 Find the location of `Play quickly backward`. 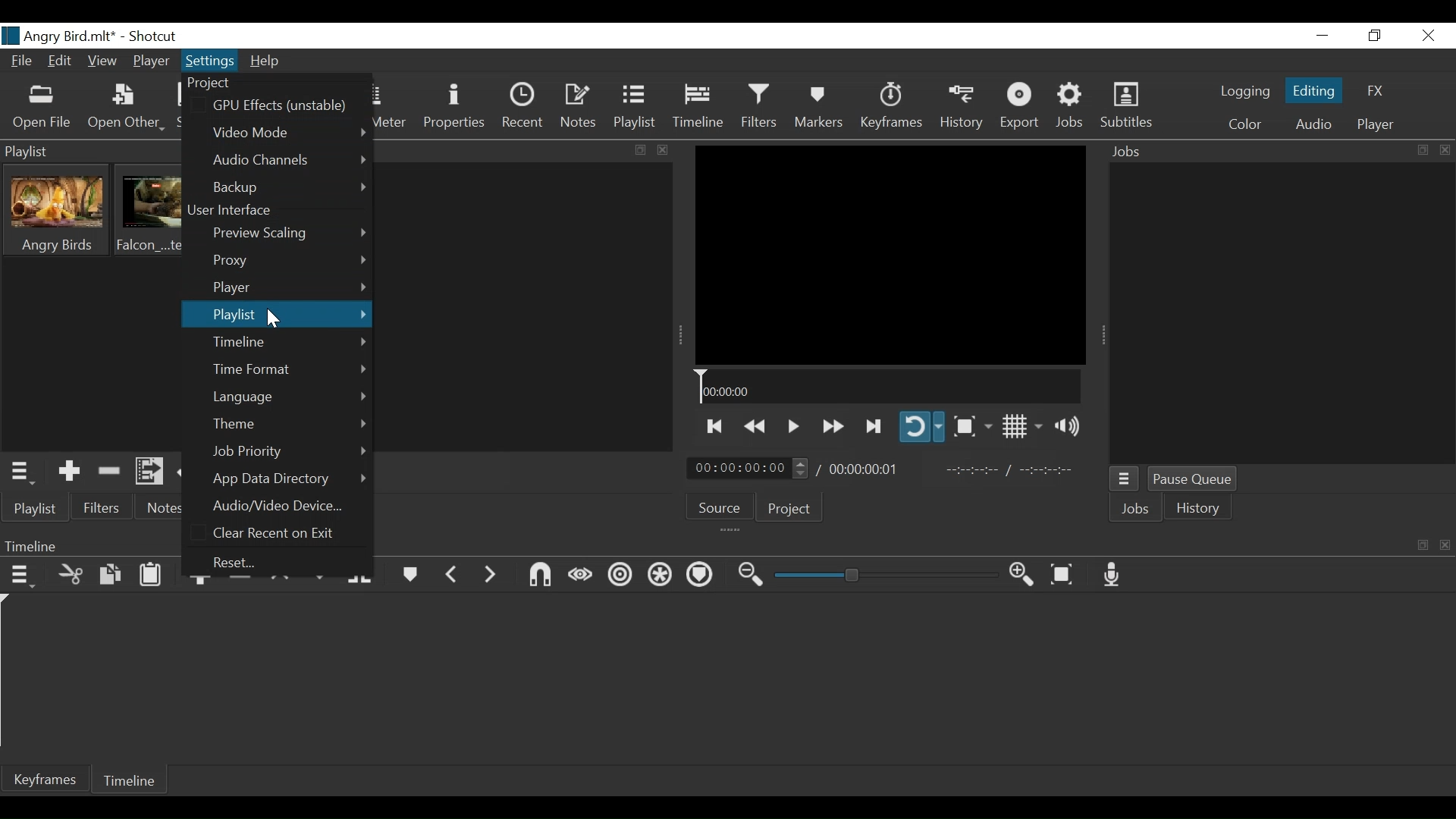

Play quickly backward is located at coordinates (756, 426).